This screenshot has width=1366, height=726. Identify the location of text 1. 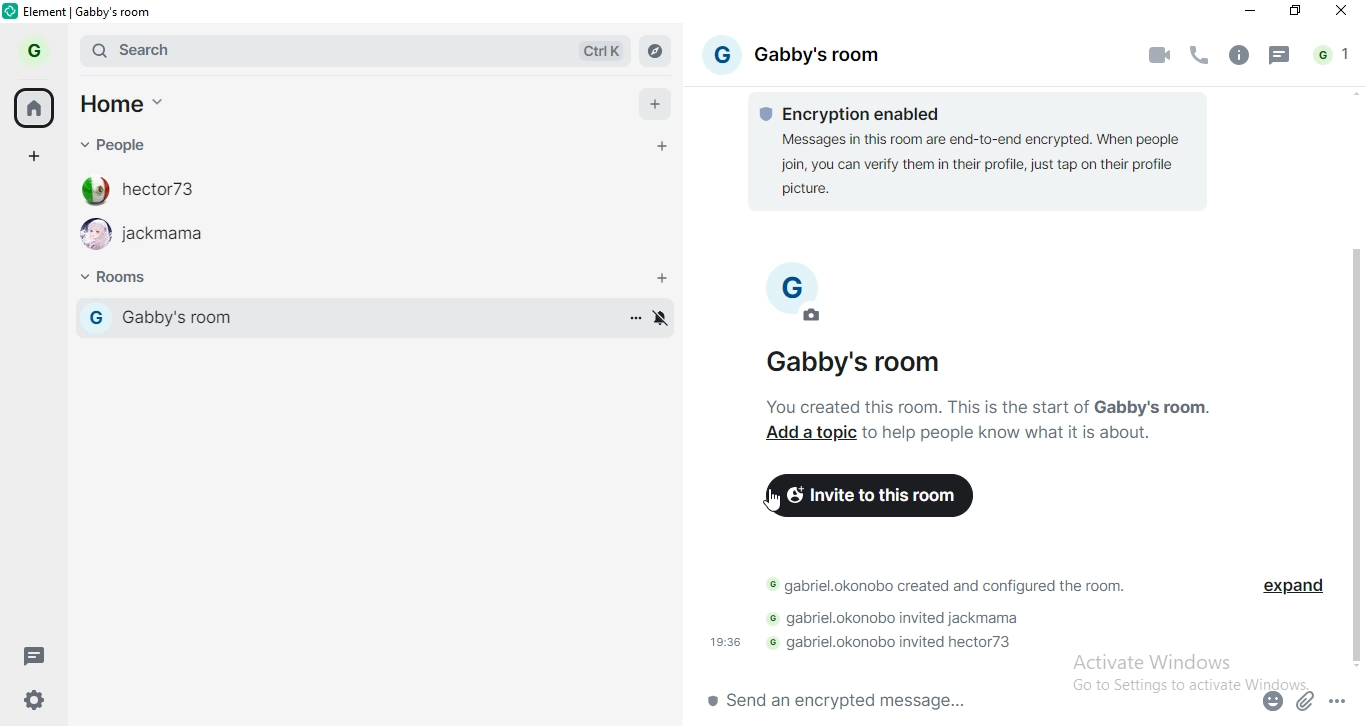
(970, 153).